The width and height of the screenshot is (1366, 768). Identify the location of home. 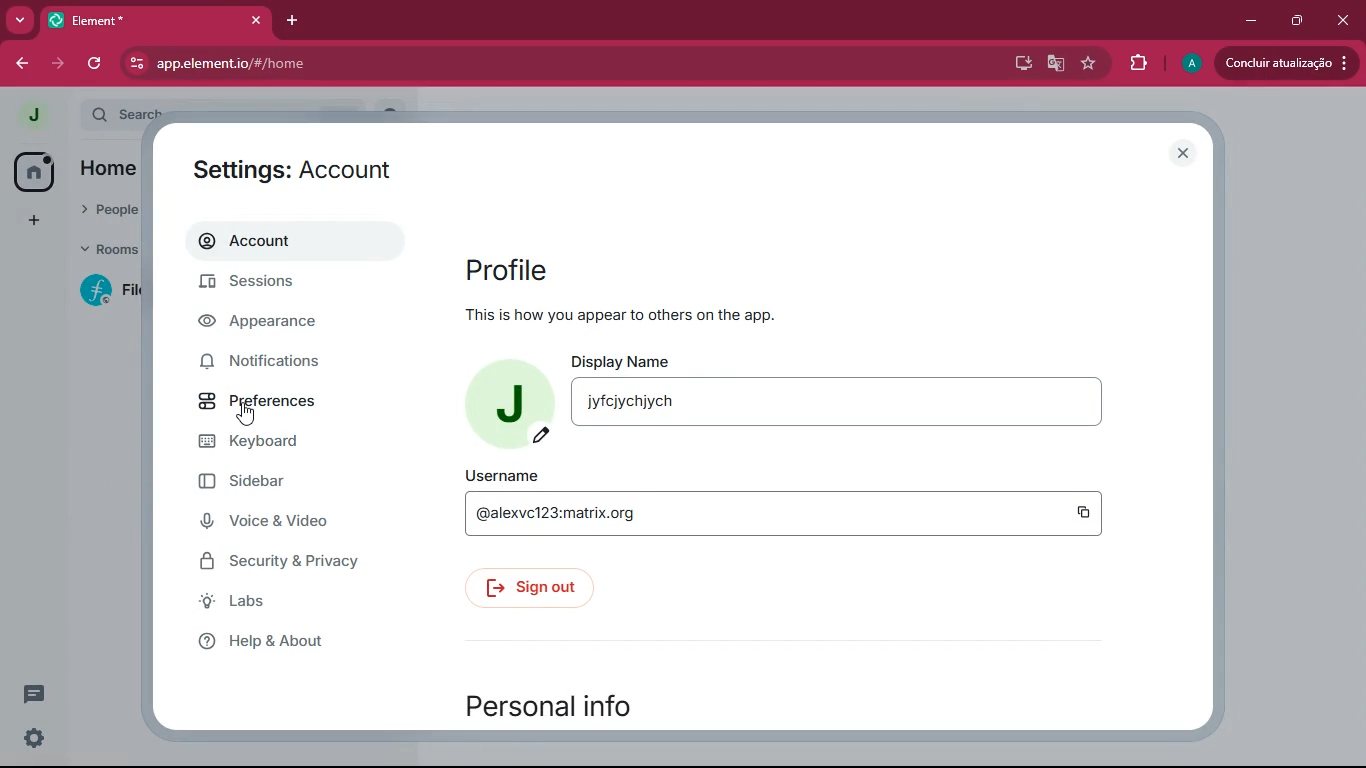
(31, 172).